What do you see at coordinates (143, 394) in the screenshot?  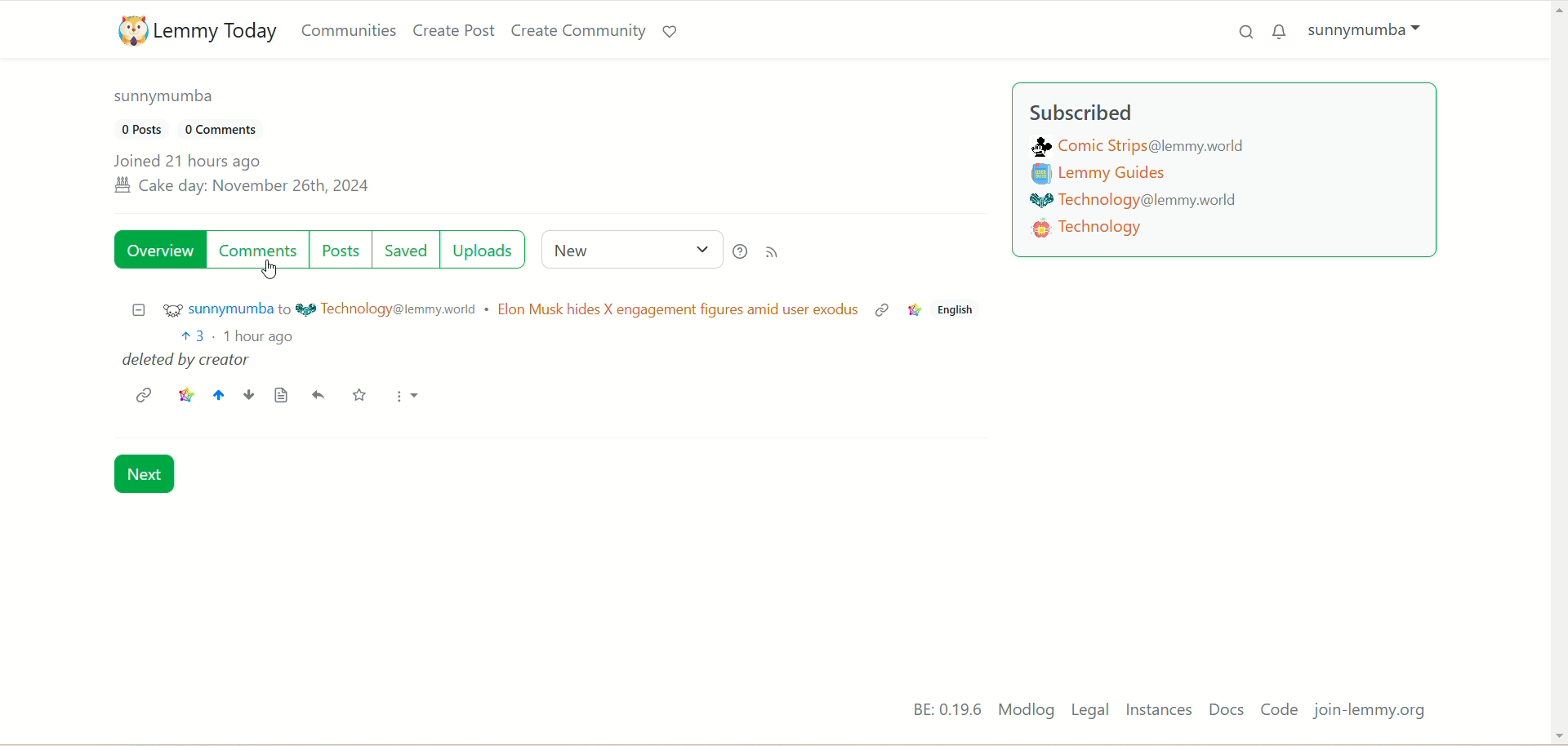 I see `link` at bounding box center [143, 394].